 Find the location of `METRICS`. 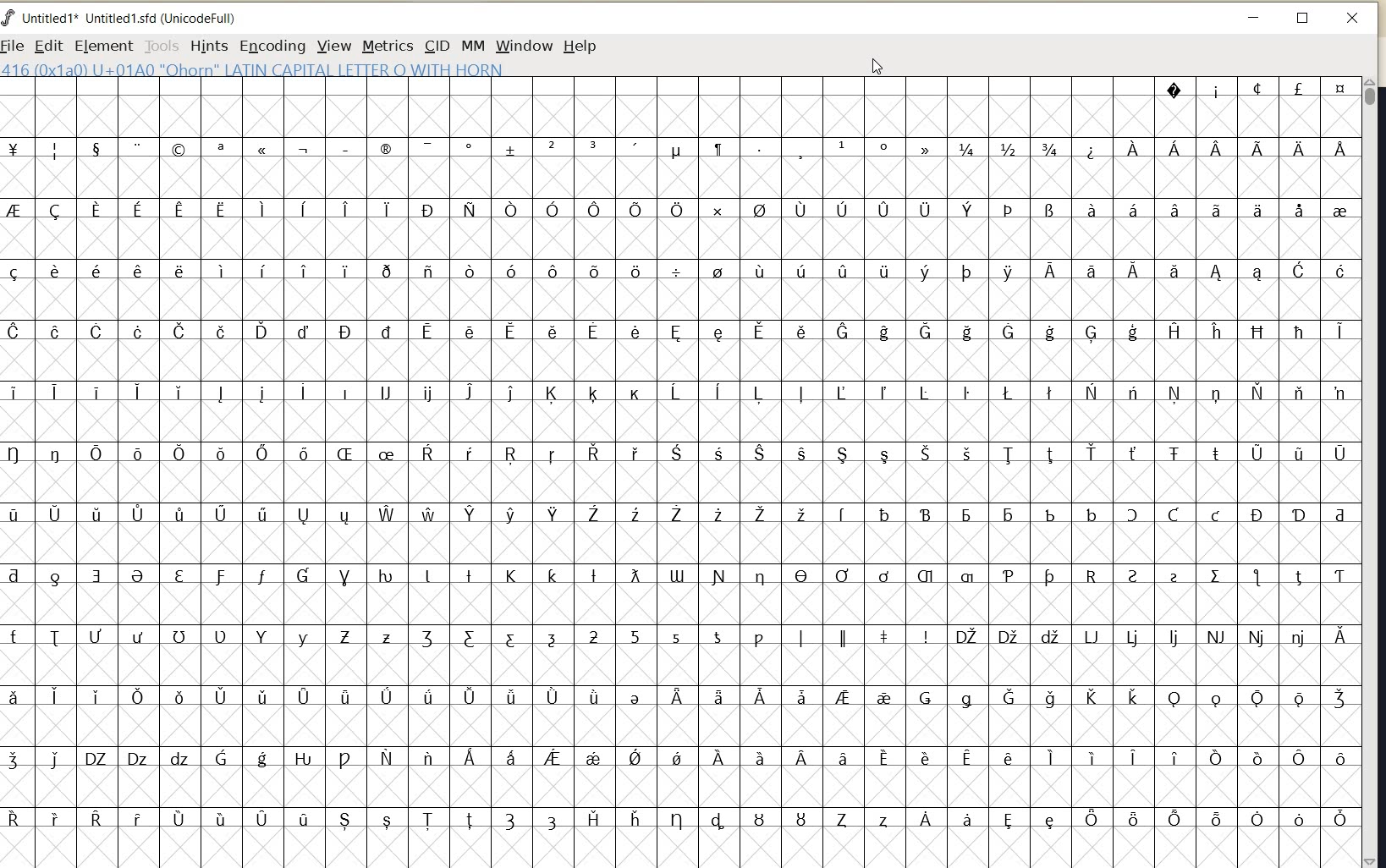

METRICS is located at coordinates (386, 47).